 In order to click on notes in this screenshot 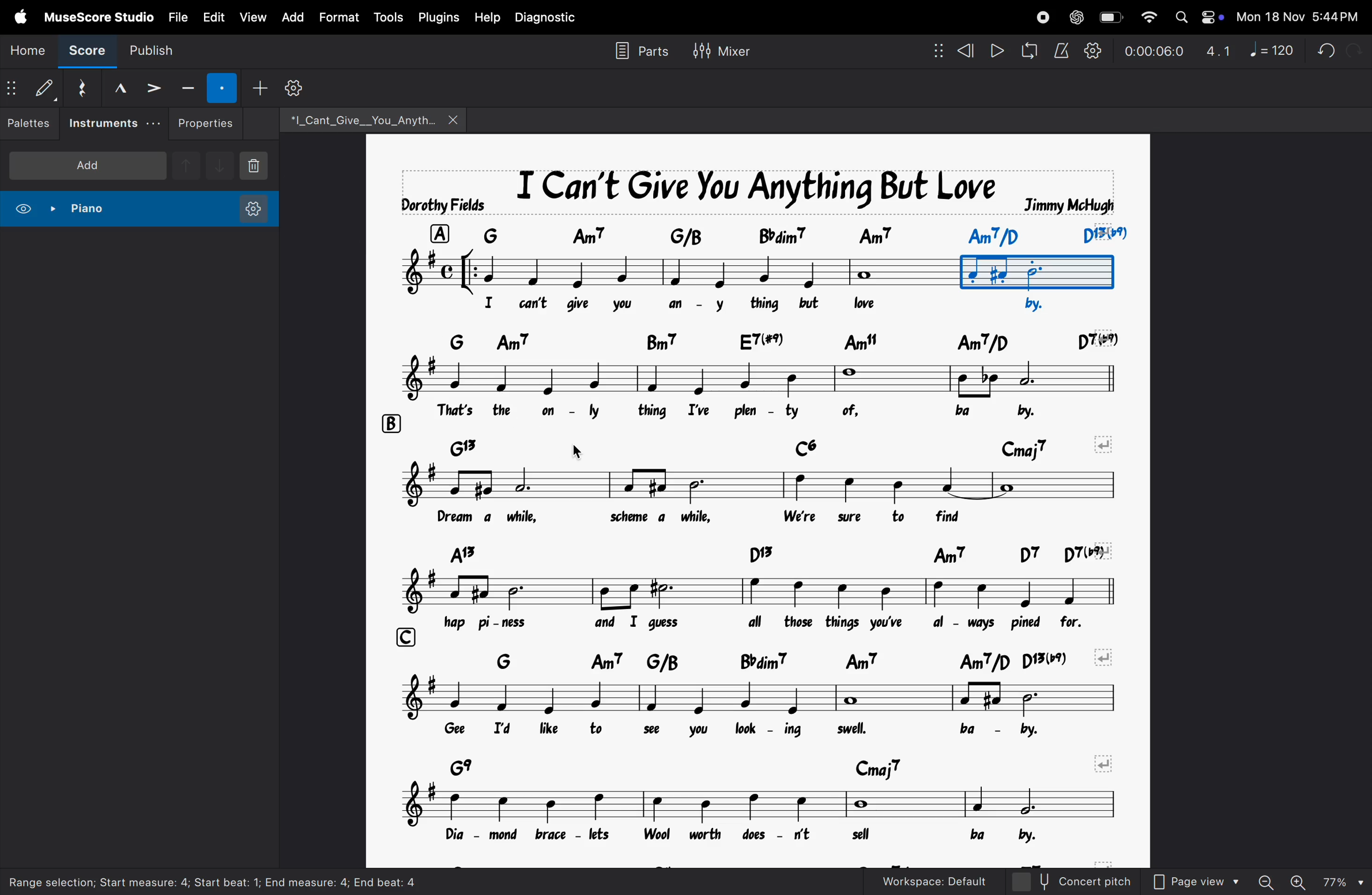, I will do `click(766, 591)`.